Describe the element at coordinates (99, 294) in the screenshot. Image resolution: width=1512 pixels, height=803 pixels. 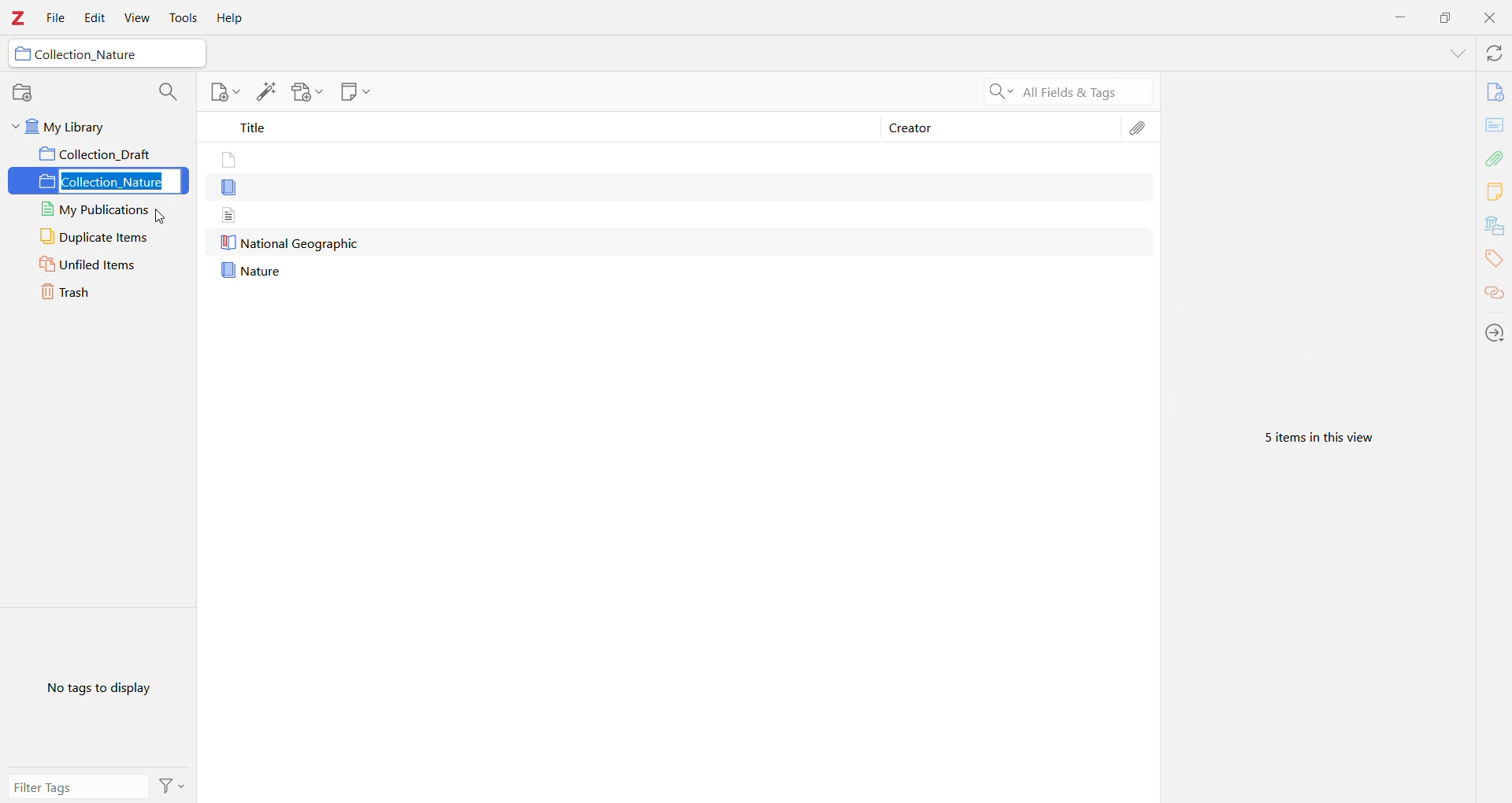
I see `Trash` at that location.